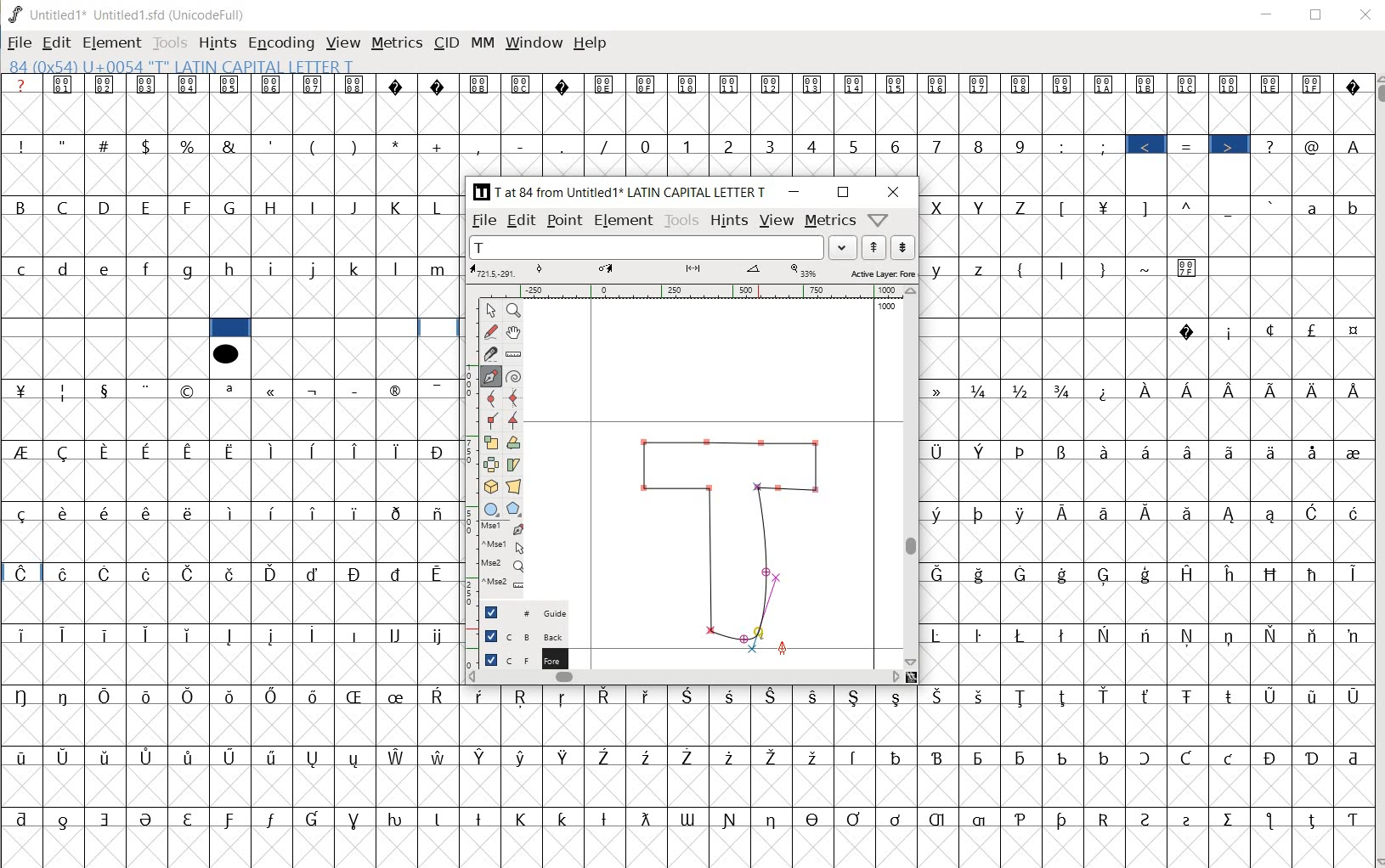 This screenshot has width=1385, height=868. Describe the element at coordinates (66, 636) in the screenshot. I see `Symbol` at that location.